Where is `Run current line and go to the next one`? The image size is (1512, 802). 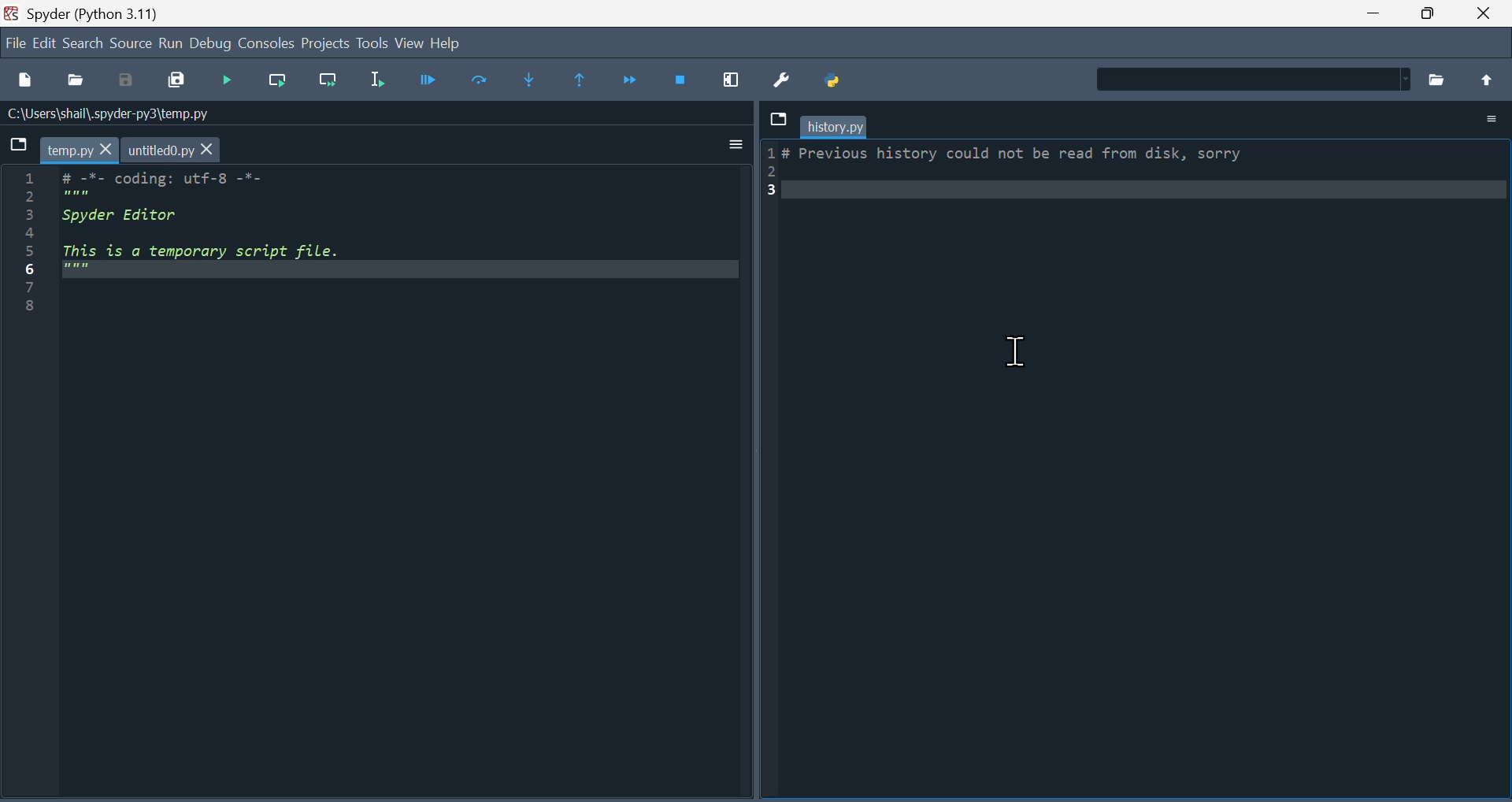 Run current line and go to the next one is located at coordinates (328, 84).